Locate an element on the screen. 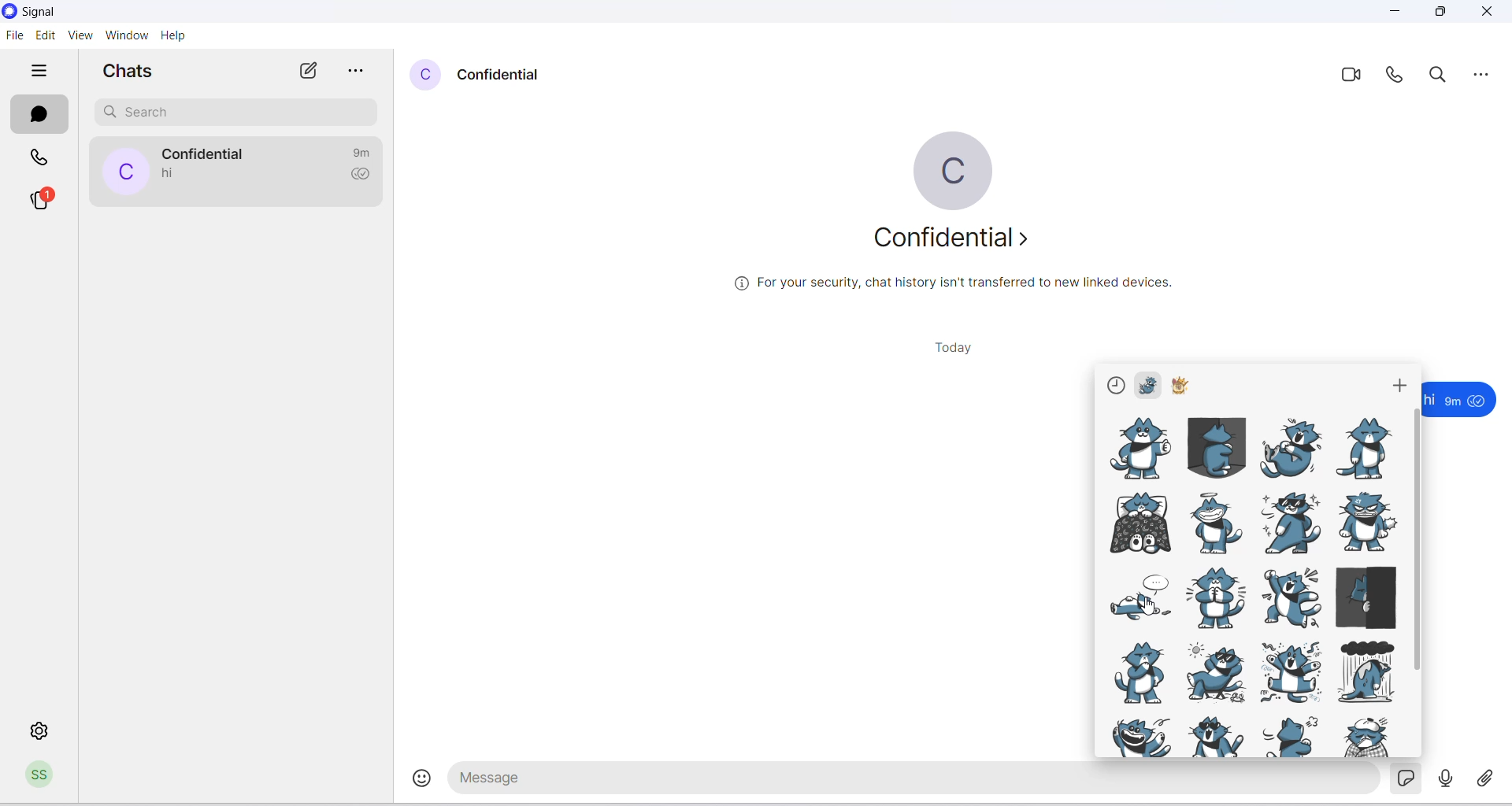  search chat is located at coordinates (235, 111).